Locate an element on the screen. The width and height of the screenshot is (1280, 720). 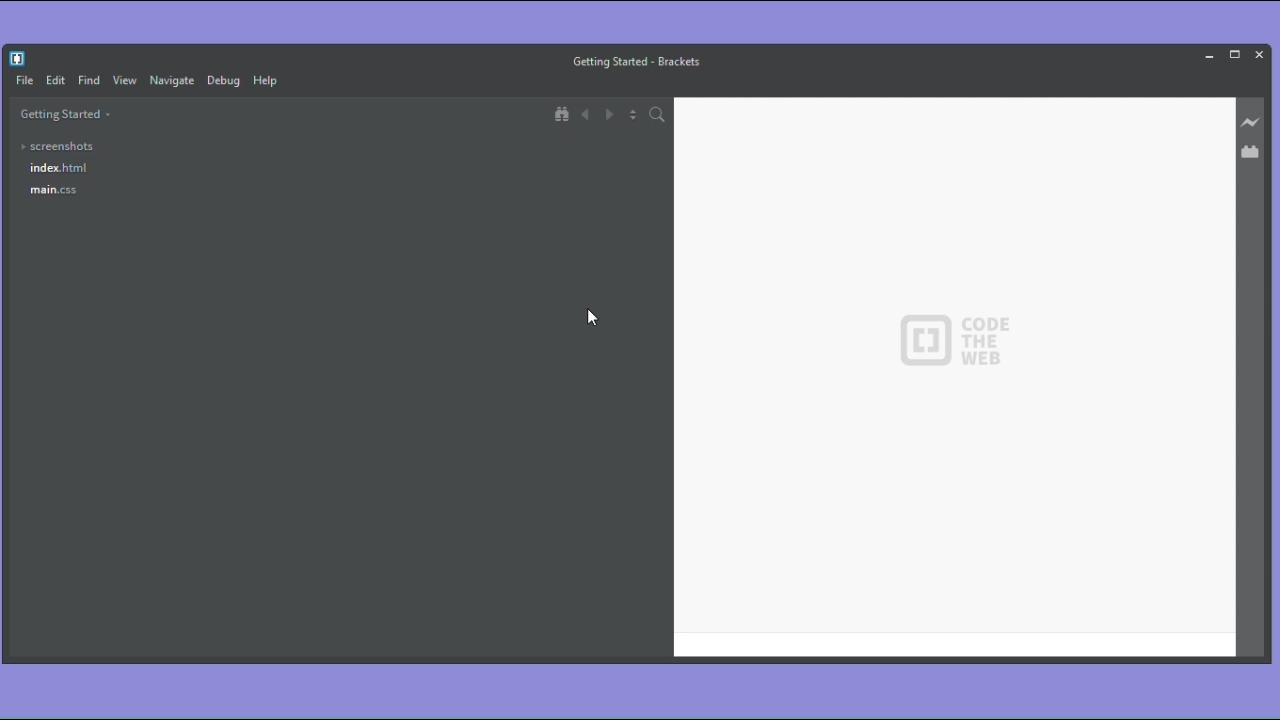
Navigate forward is located at coordinates (611, 116).